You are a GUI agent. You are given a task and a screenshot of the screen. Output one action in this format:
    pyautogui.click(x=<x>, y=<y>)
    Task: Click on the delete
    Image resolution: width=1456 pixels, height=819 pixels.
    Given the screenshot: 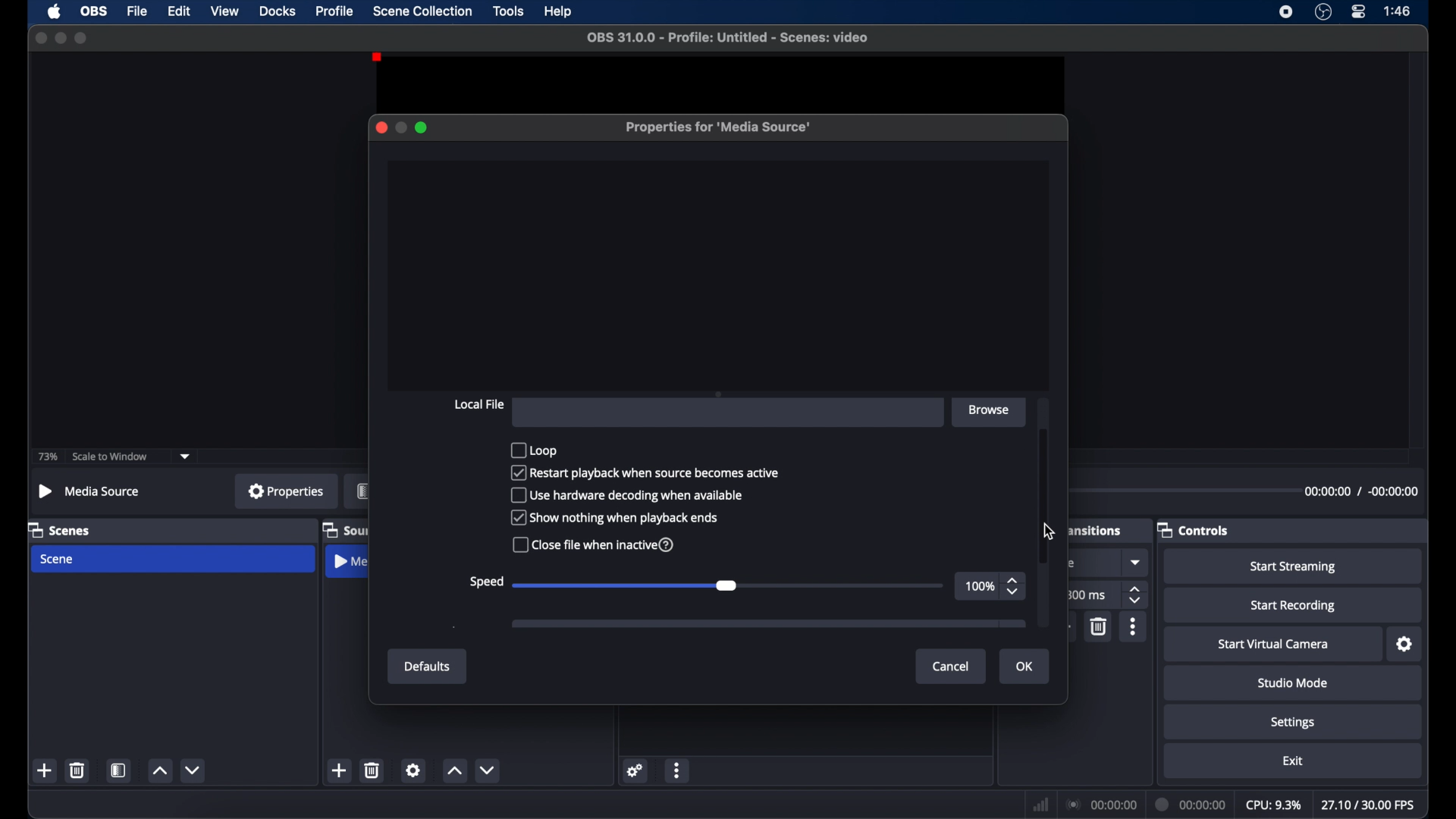 What is the action you would take?
    pyautogui.click(x=372, y=770)
    